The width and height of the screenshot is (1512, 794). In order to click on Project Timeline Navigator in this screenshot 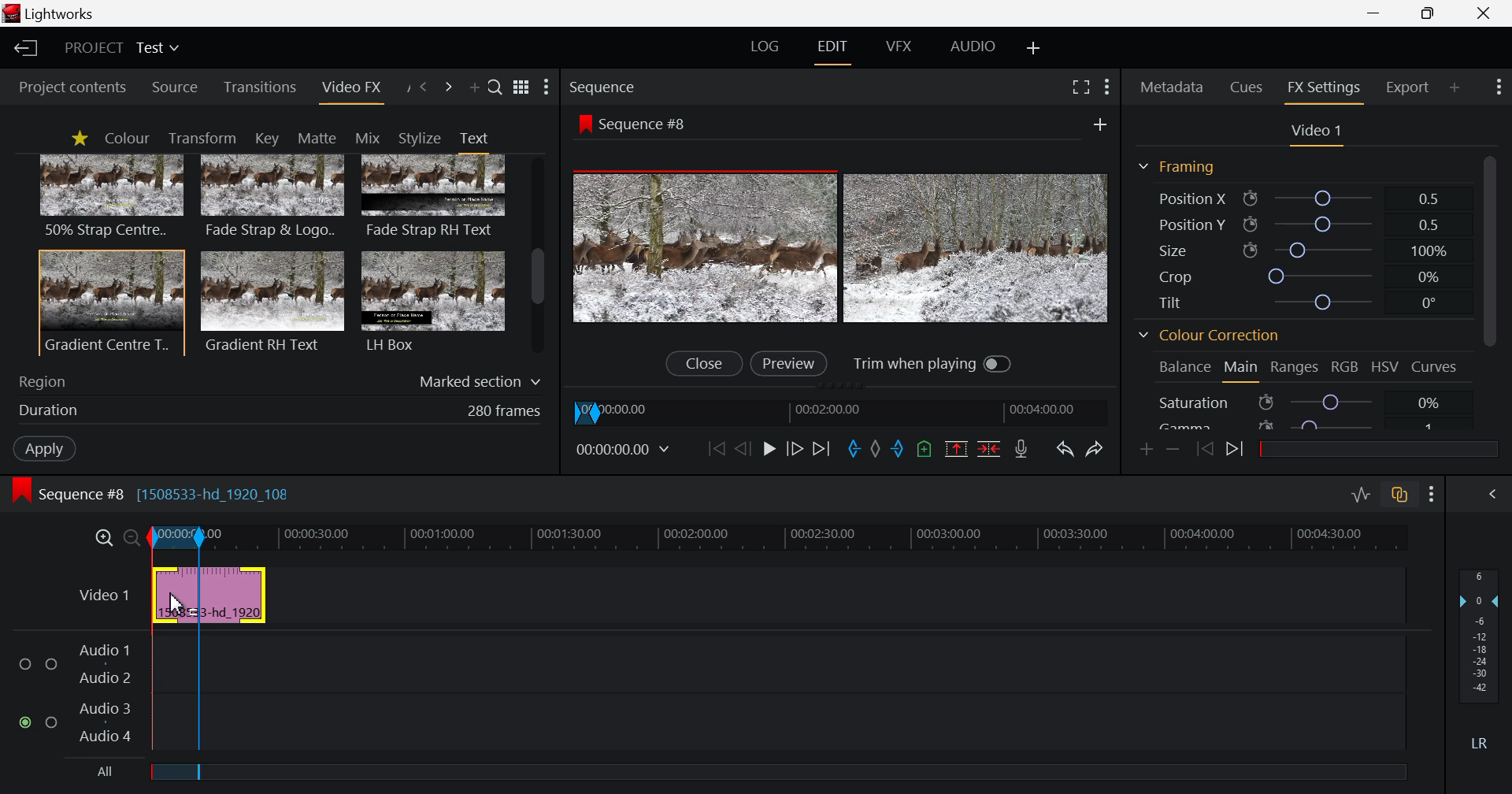, I will do `click(845, 409)`.